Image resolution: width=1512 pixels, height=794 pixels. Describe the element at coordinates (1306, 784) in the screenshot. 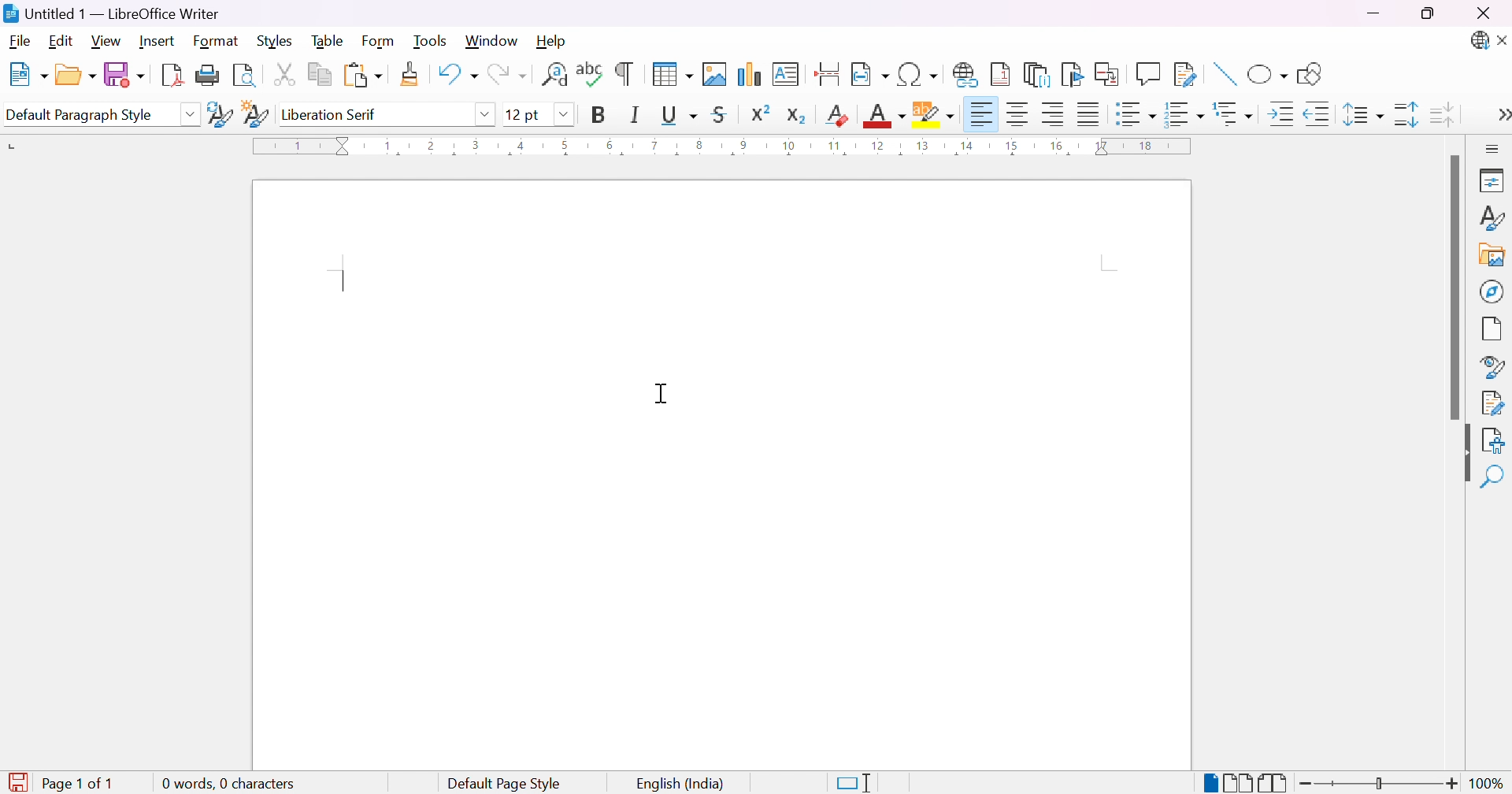

I see `Zoom out` at that location.